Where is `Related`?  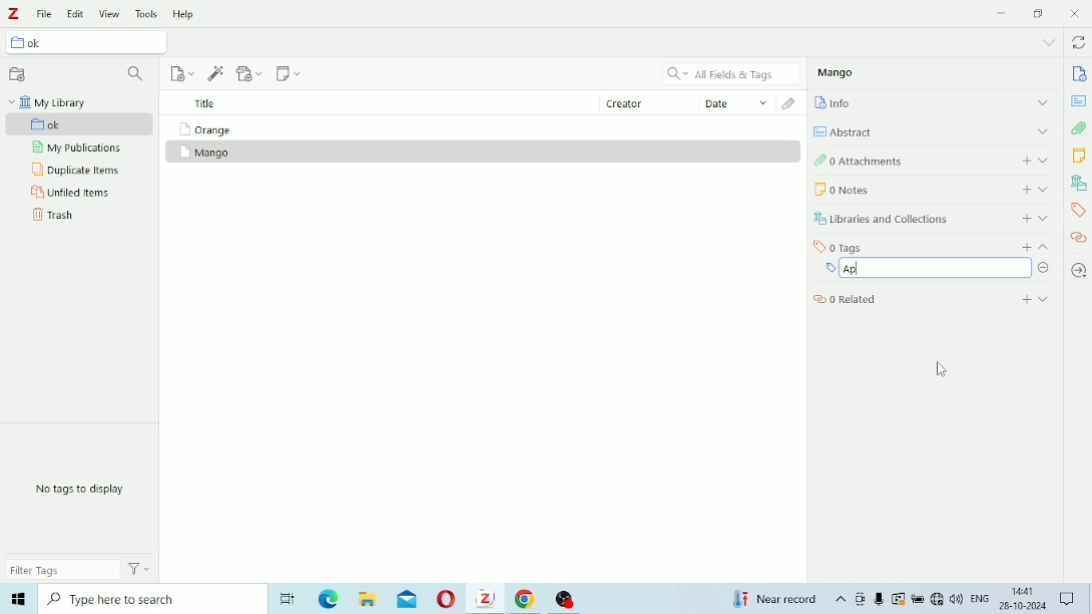 Related is located at coordinates (1079, 237).